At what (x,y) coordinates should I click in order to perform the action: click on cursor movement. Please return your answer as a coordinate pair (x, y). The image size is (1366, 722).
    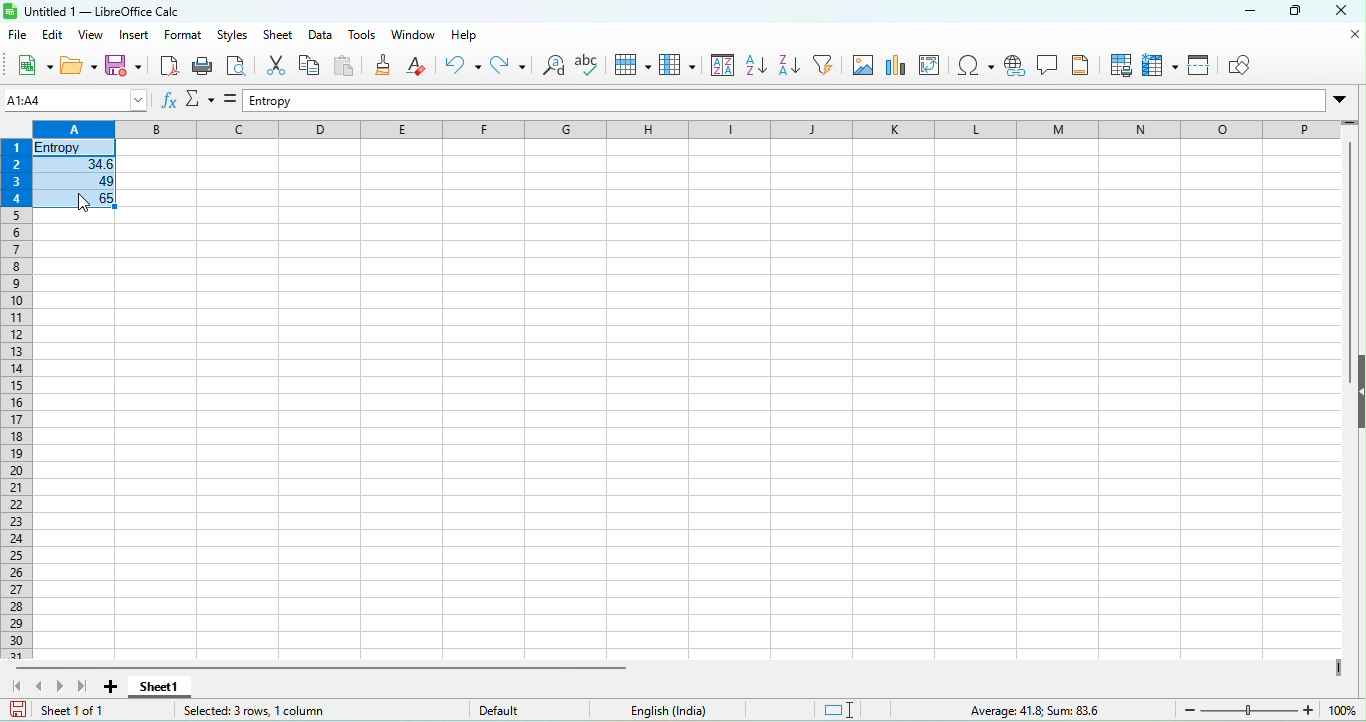
    Looking at the image, I should click on (82, 204).